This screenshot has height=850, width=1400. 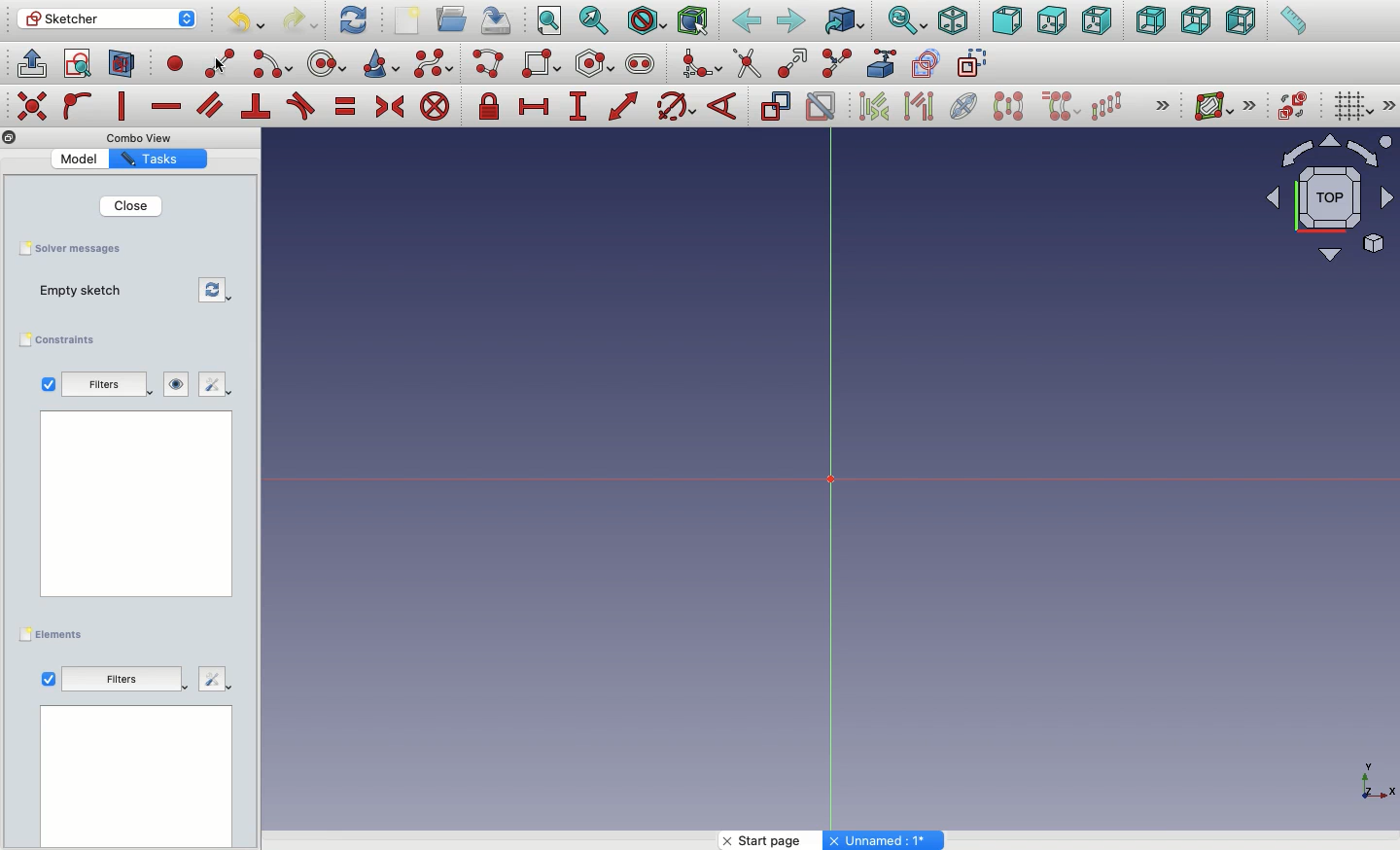 I want to click on Constrain point on to object, so click(x=78, y=108).